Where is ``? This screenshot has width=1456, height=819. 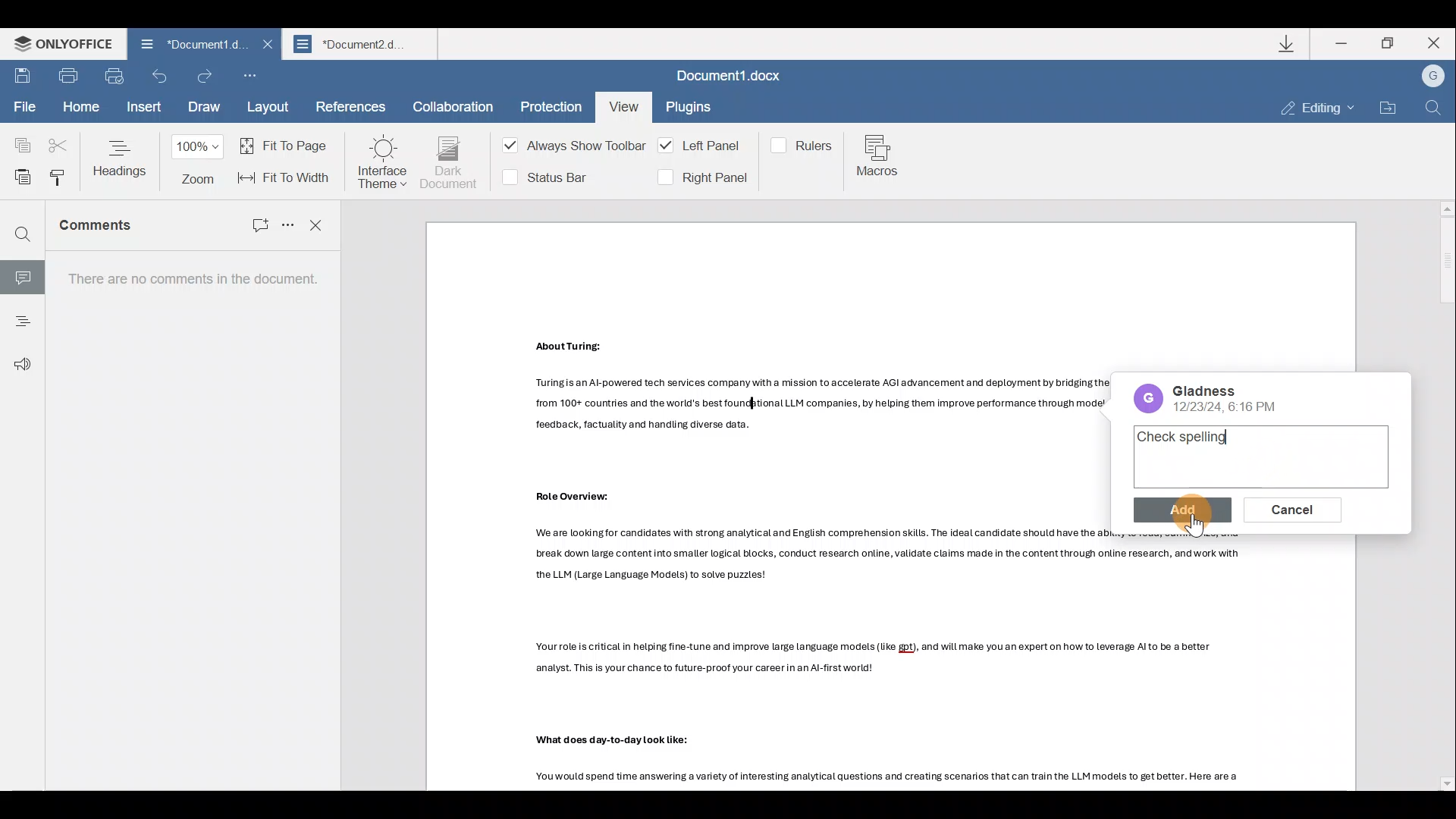  is located at coordinates (875, 660).